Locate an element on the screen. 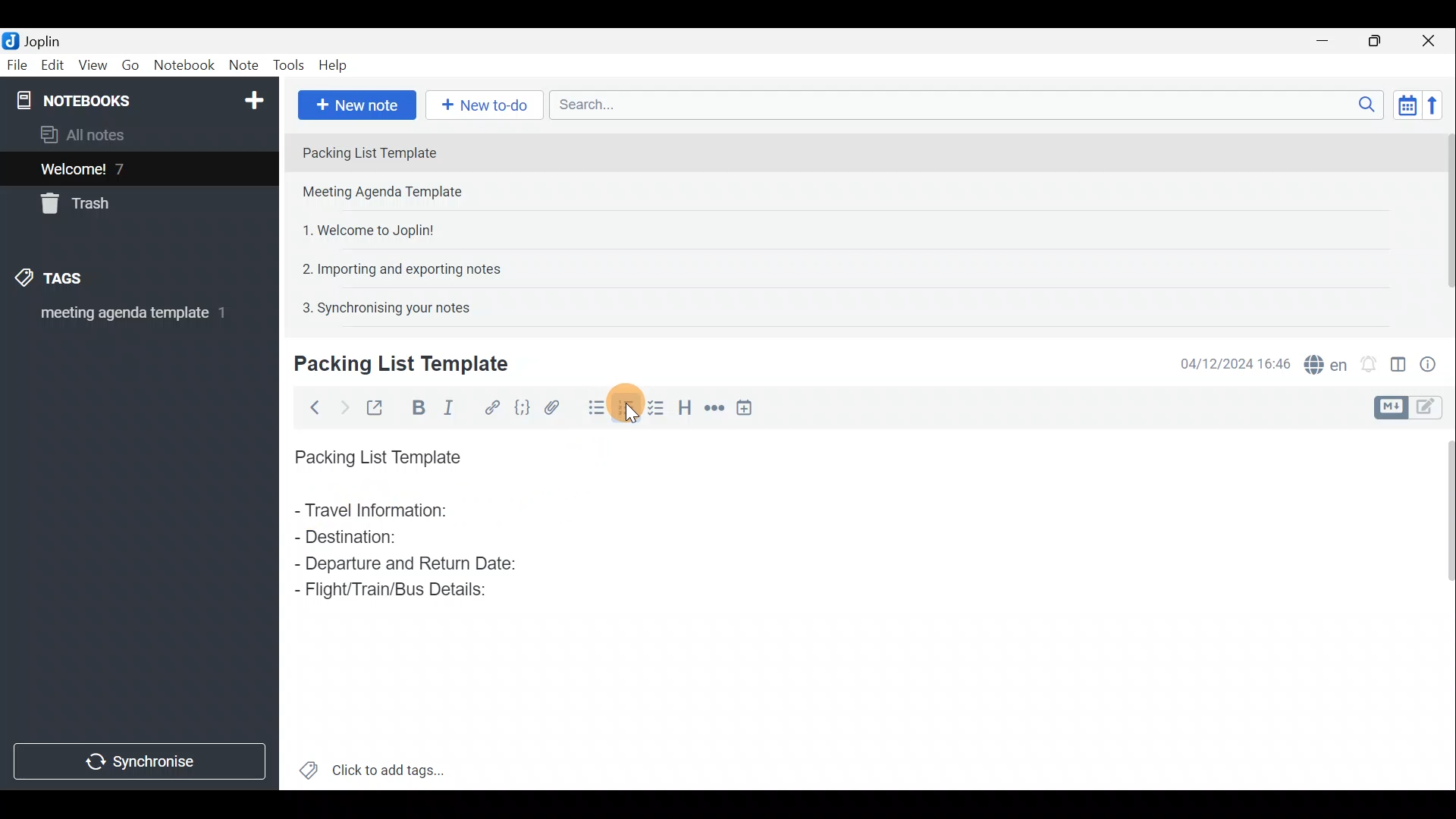  Close is located at coordinates (1433, 40).